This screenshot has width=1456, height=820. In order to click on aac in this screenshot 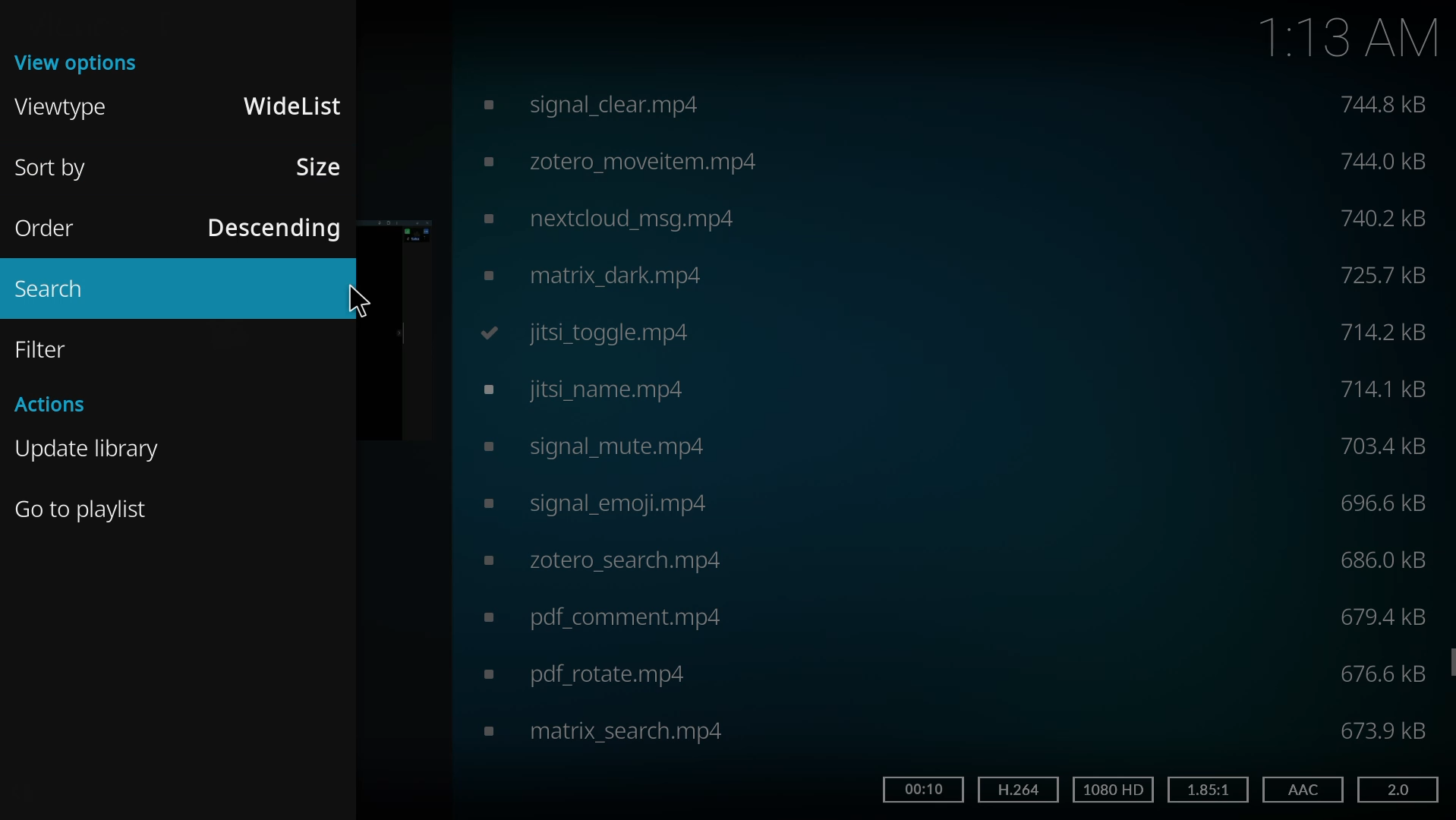, I will do `click(1299, 788)`.